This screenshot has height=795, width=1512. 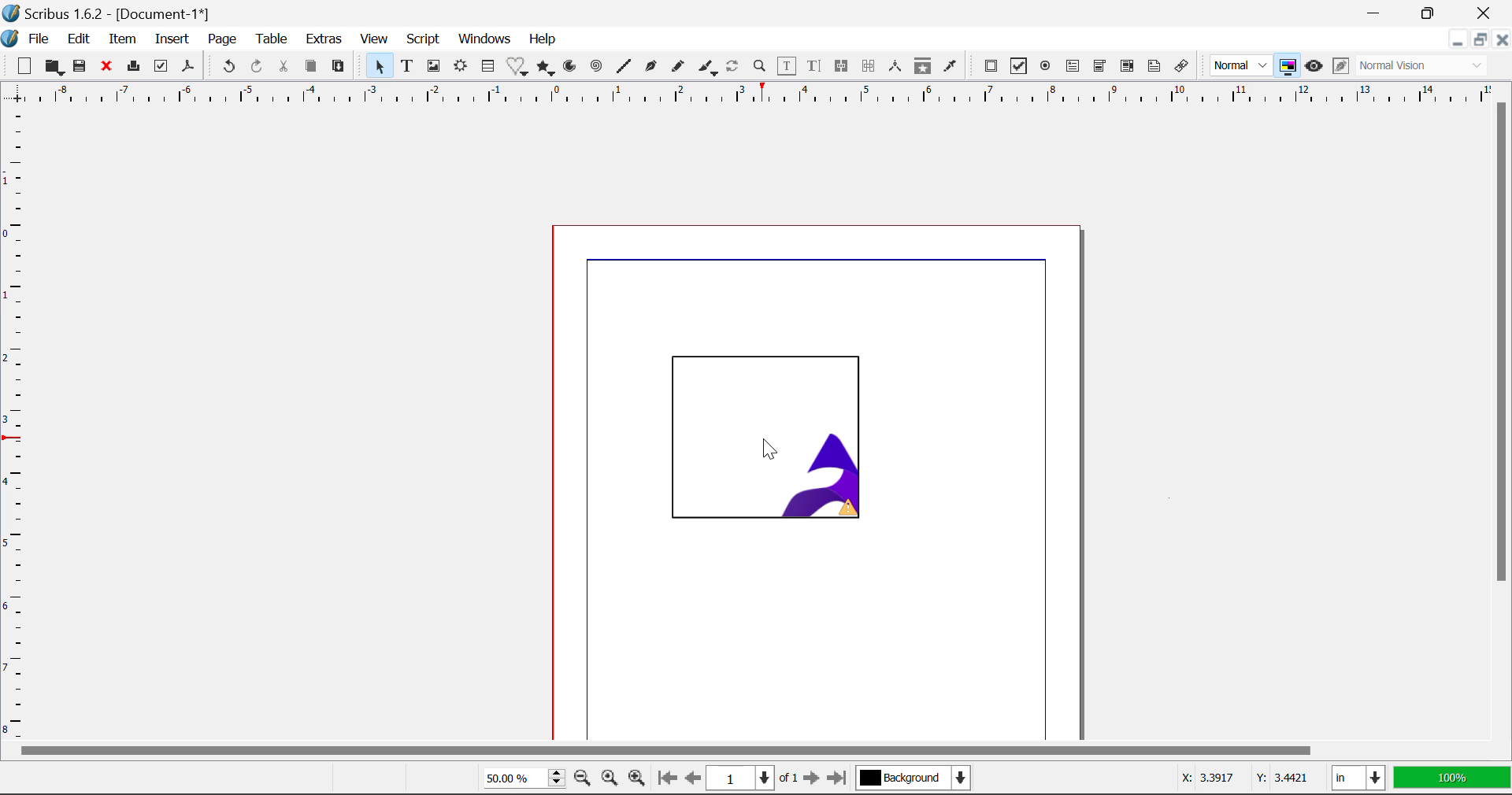 I want to click on Zoom Settings Bar, so click(x=557, y=778).